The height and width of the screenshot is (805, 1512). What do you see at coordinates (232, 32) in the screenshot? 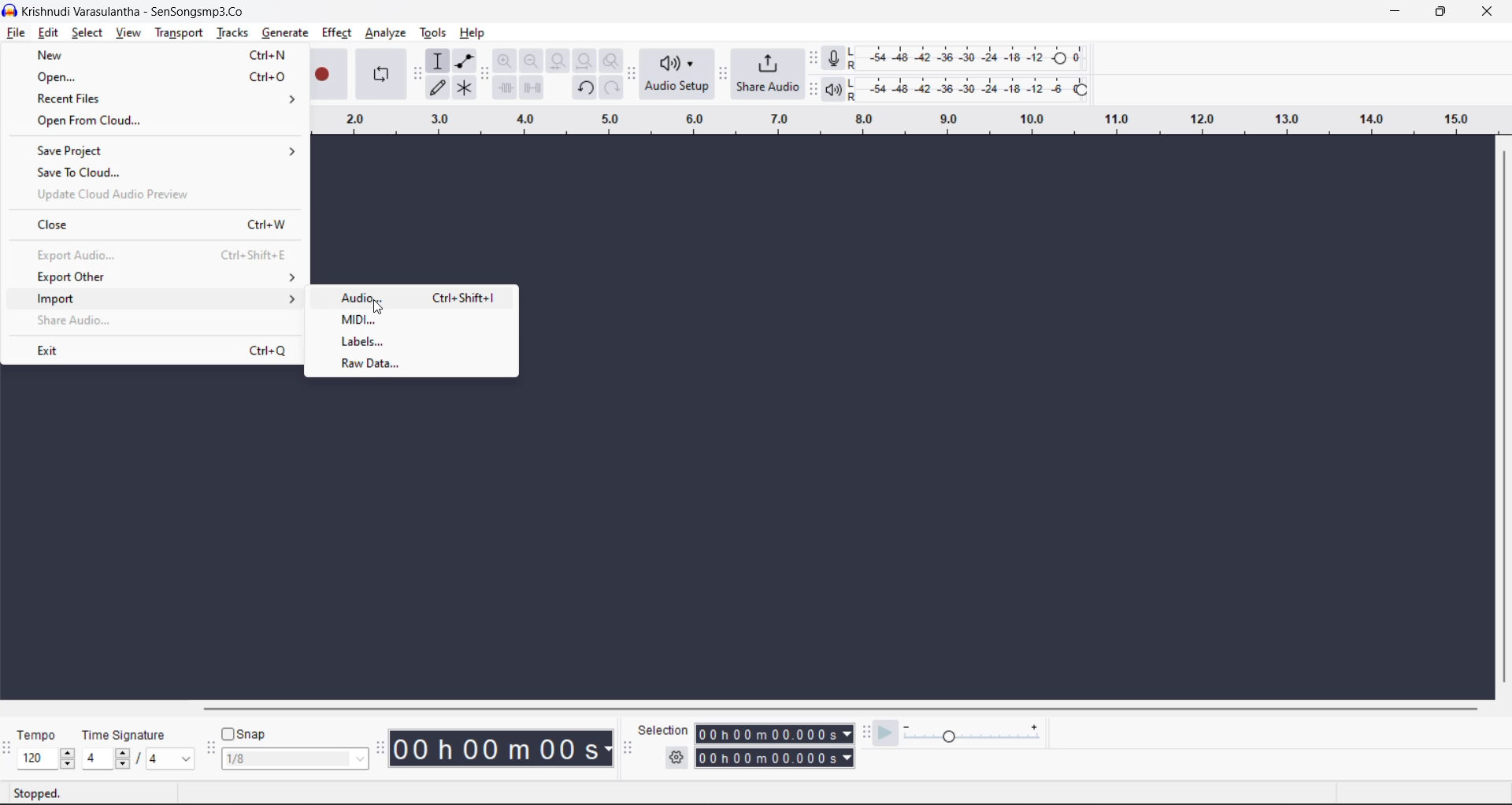
I see `tracks` at bounding box center [232, 32].